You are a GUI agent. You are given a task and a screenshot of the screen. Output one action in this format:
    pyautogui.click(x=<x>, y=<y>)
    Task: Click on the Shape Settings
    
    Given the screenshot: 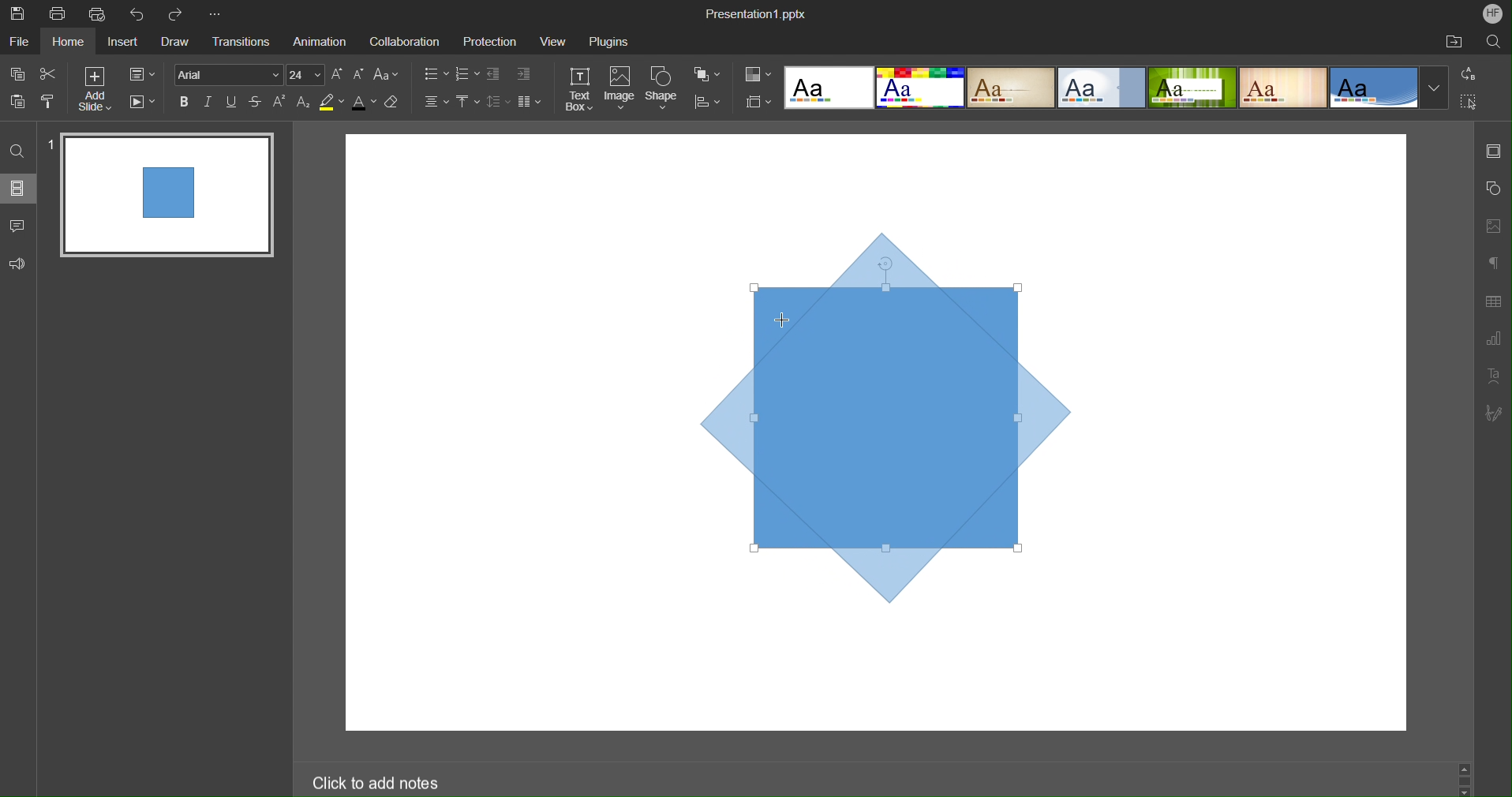 What is the action you would take?
    pyautogui.click(x=1491, y=189)
    